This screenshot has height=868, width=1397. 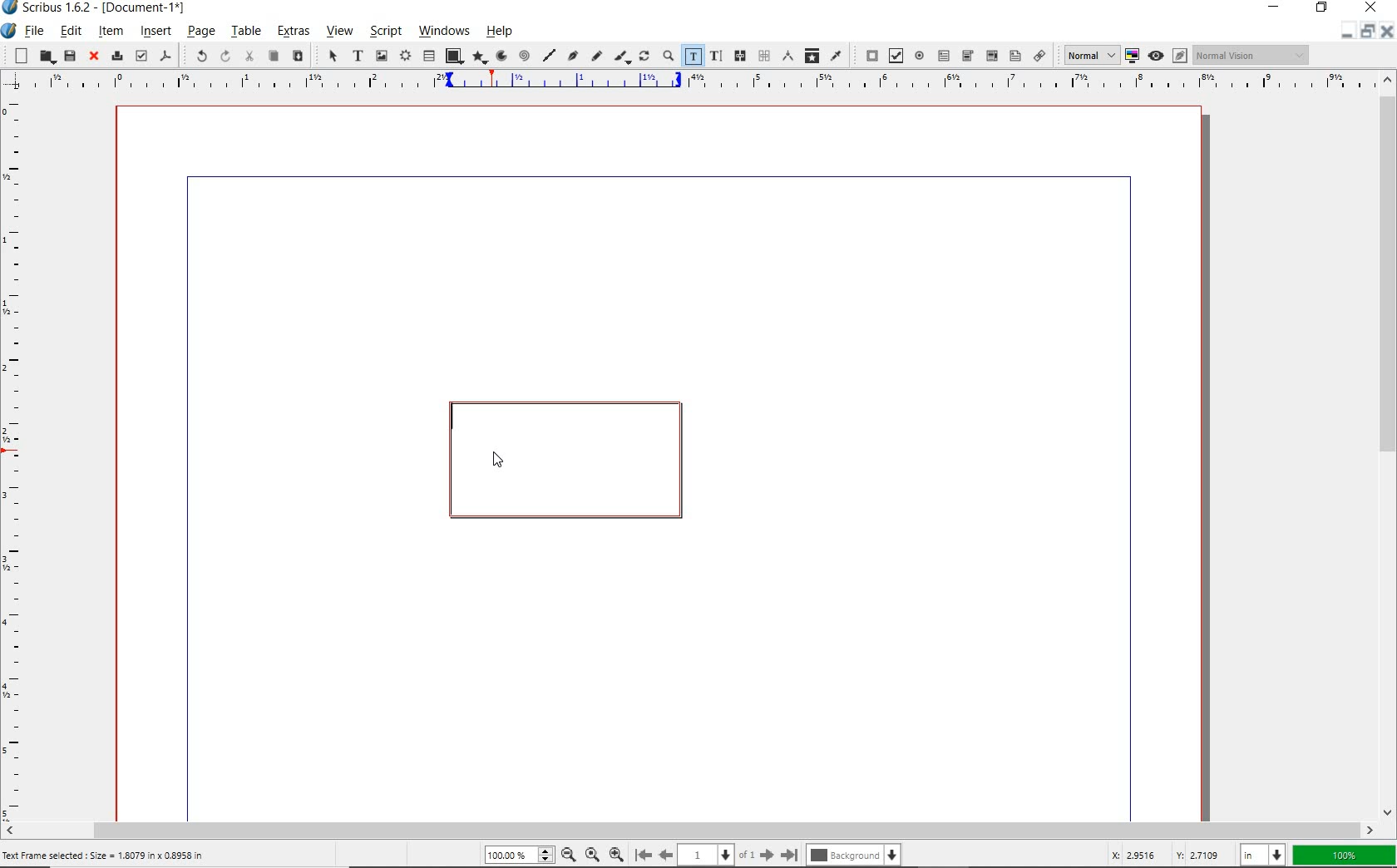 What do you see at coordinates (105, 856) in the screenshot?
I see `Text Frame selected : Size = 1.8079 in x 0.8958 in’` at bounding box center [105, 856].